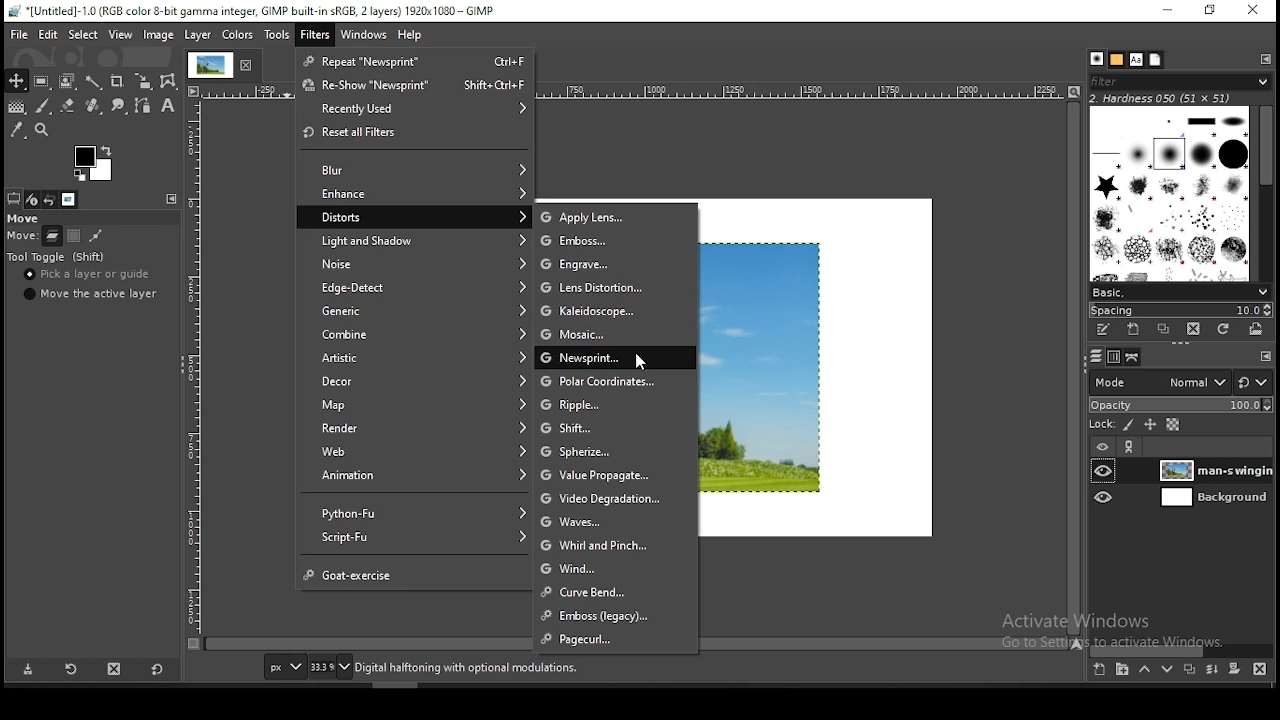 This screenshot has width=1280, height=720. What do you see at coordinates (418, 475) in the screenshot?
I see `animation` at bounding box center [418, 475].